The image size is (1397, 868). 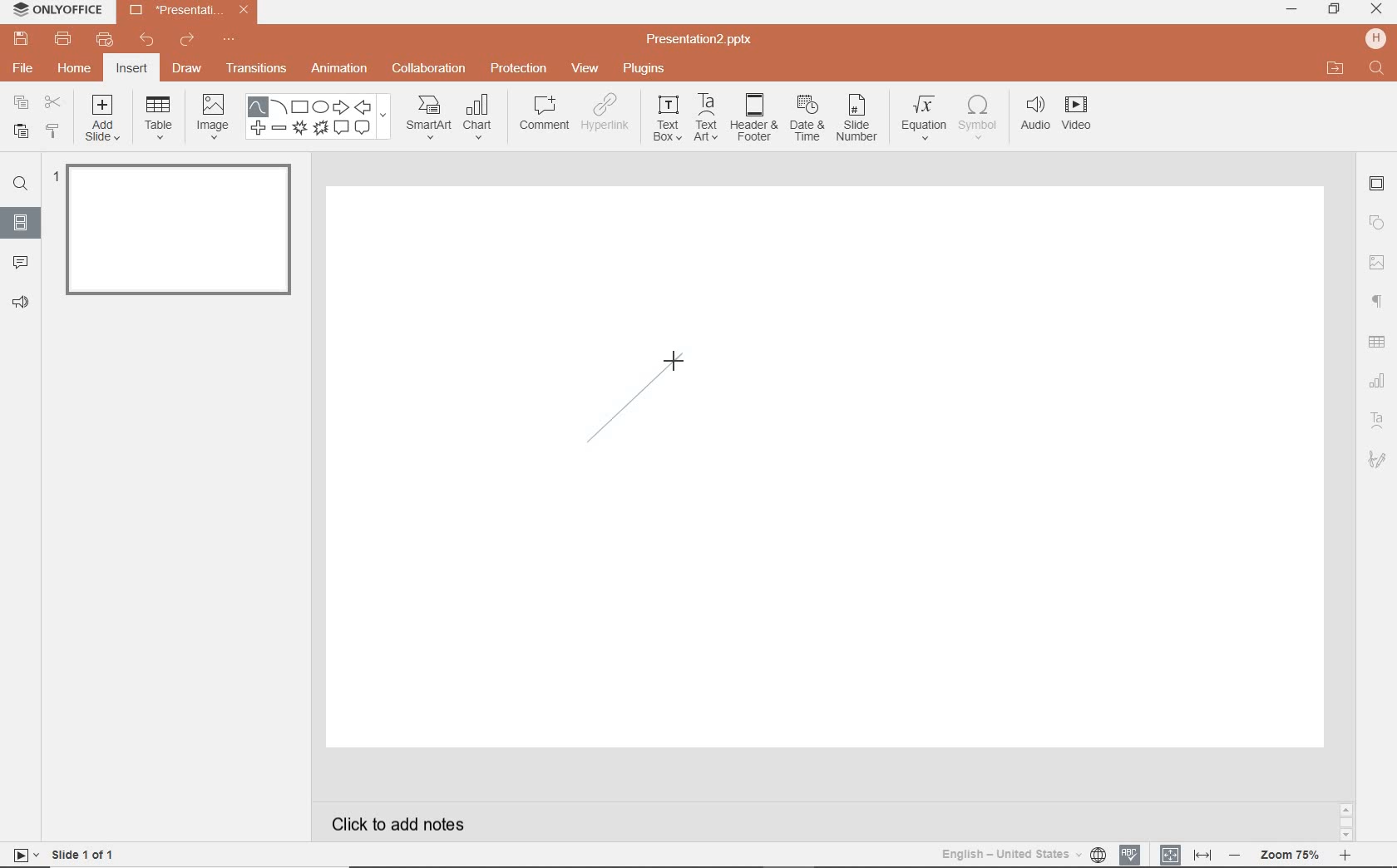 I want to click on REDO, so click(x=187, y=41).